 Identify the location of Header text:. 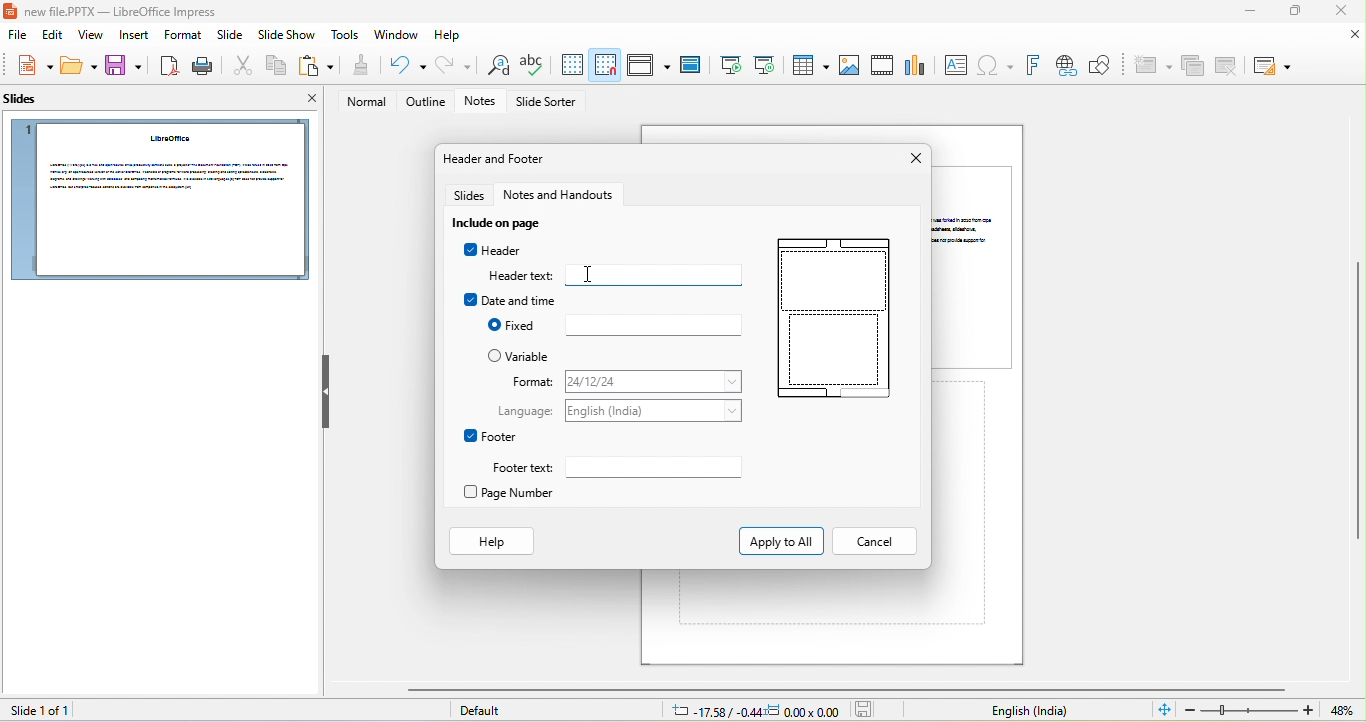
(521, 276).